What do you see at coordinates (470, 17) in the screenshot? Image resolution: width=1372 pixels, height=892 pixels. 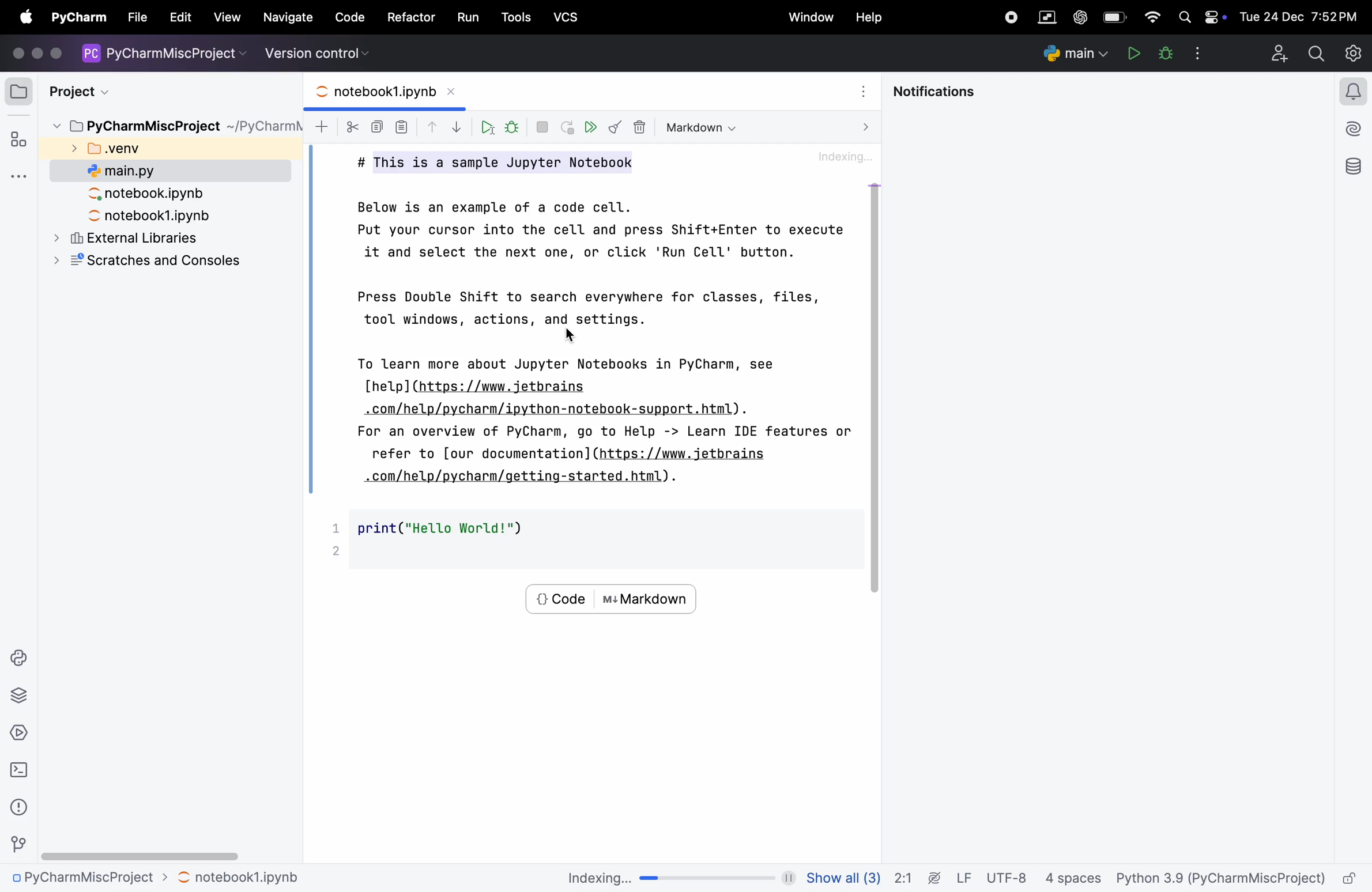 I see `run` at bounding box center [470, 17].